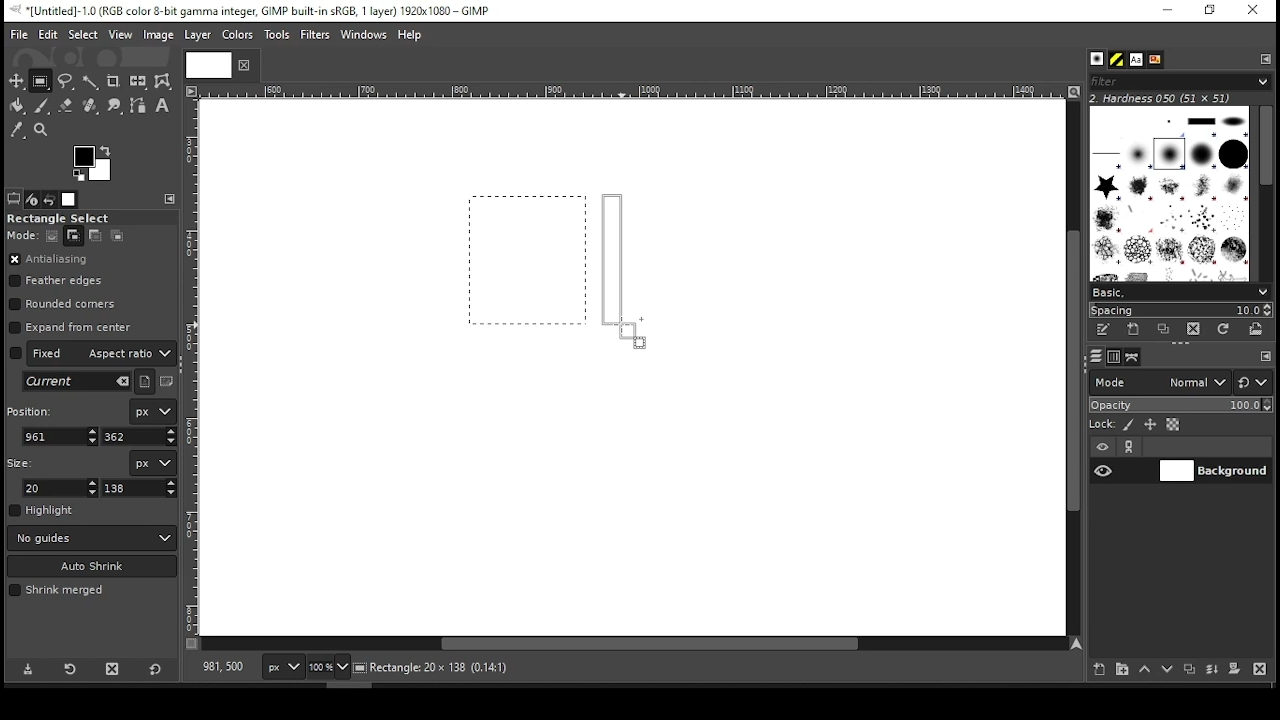  I want to click on , so click(629, 92).